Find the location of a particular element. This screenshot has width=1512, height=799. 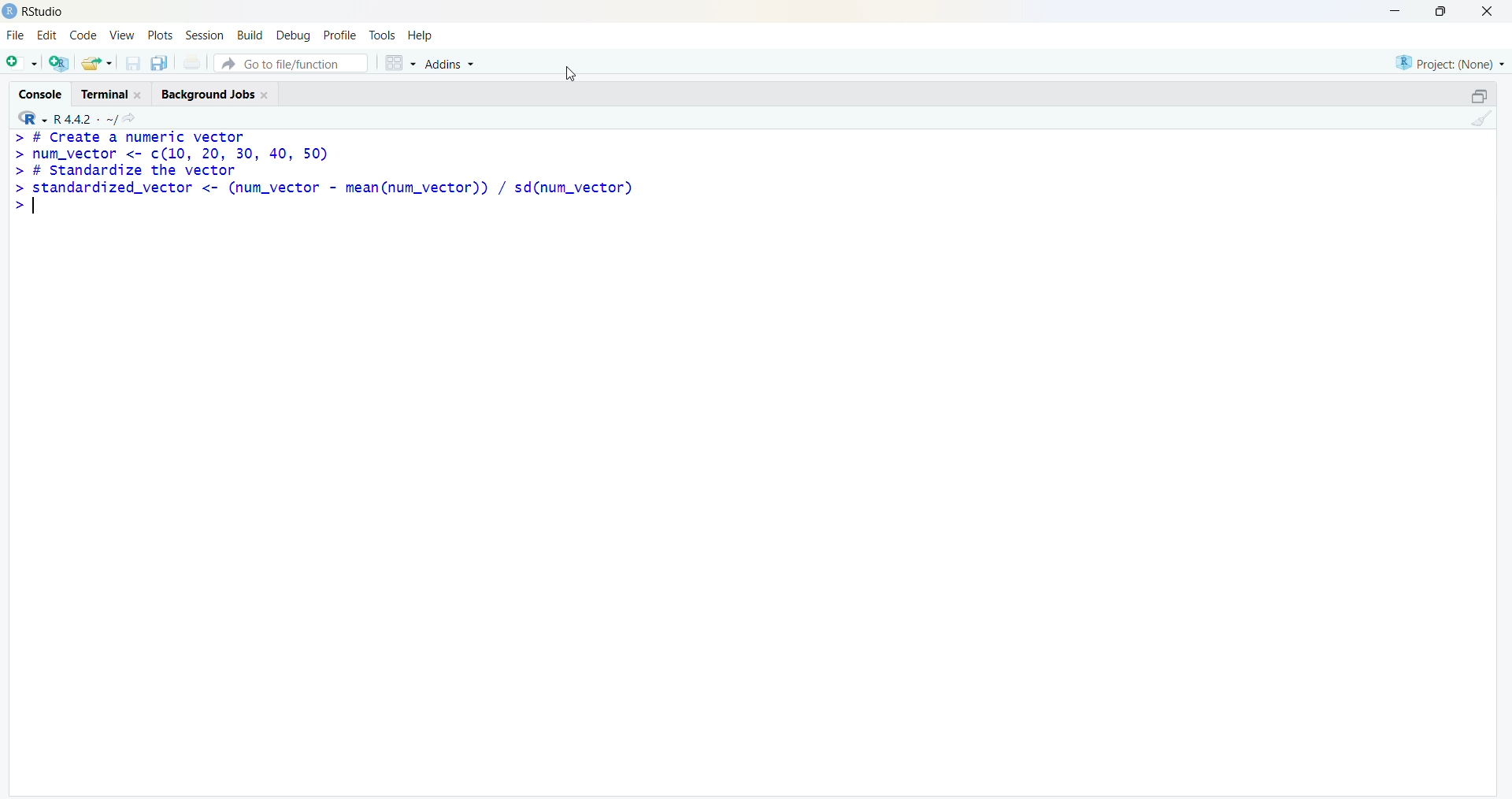

addins is located at coordinates (450, 65).